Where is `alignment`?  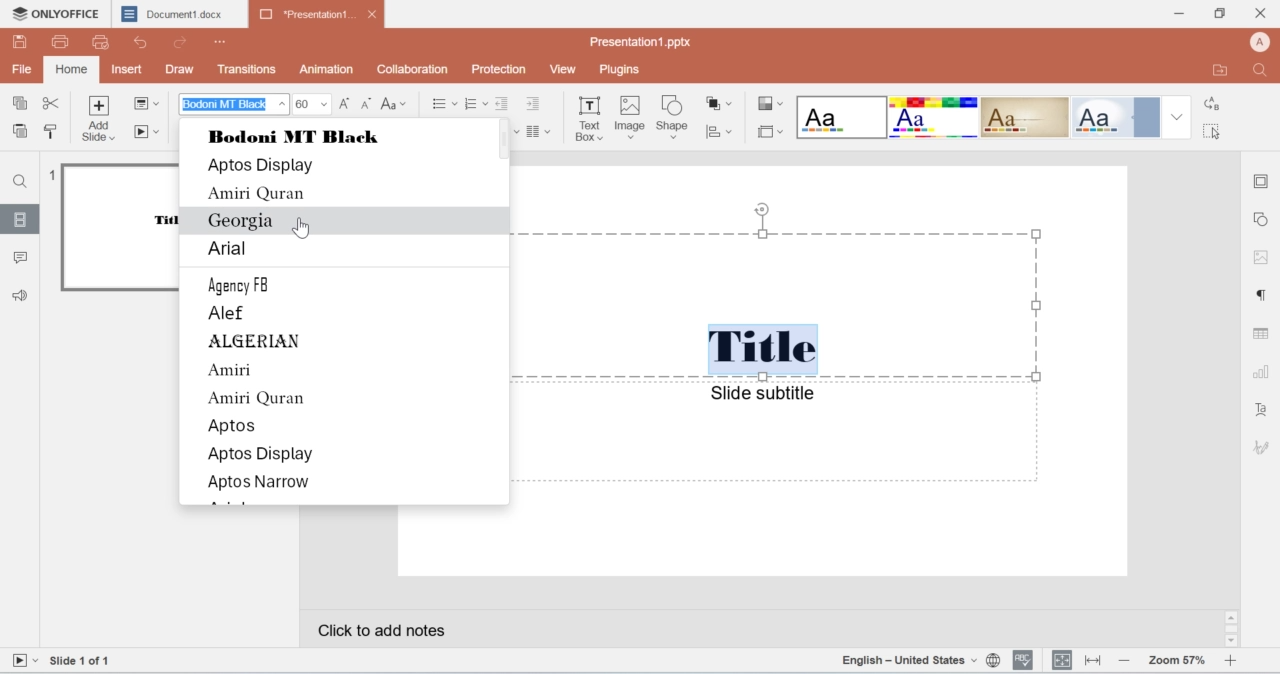 alignment is located at coordinates (1062, 660).